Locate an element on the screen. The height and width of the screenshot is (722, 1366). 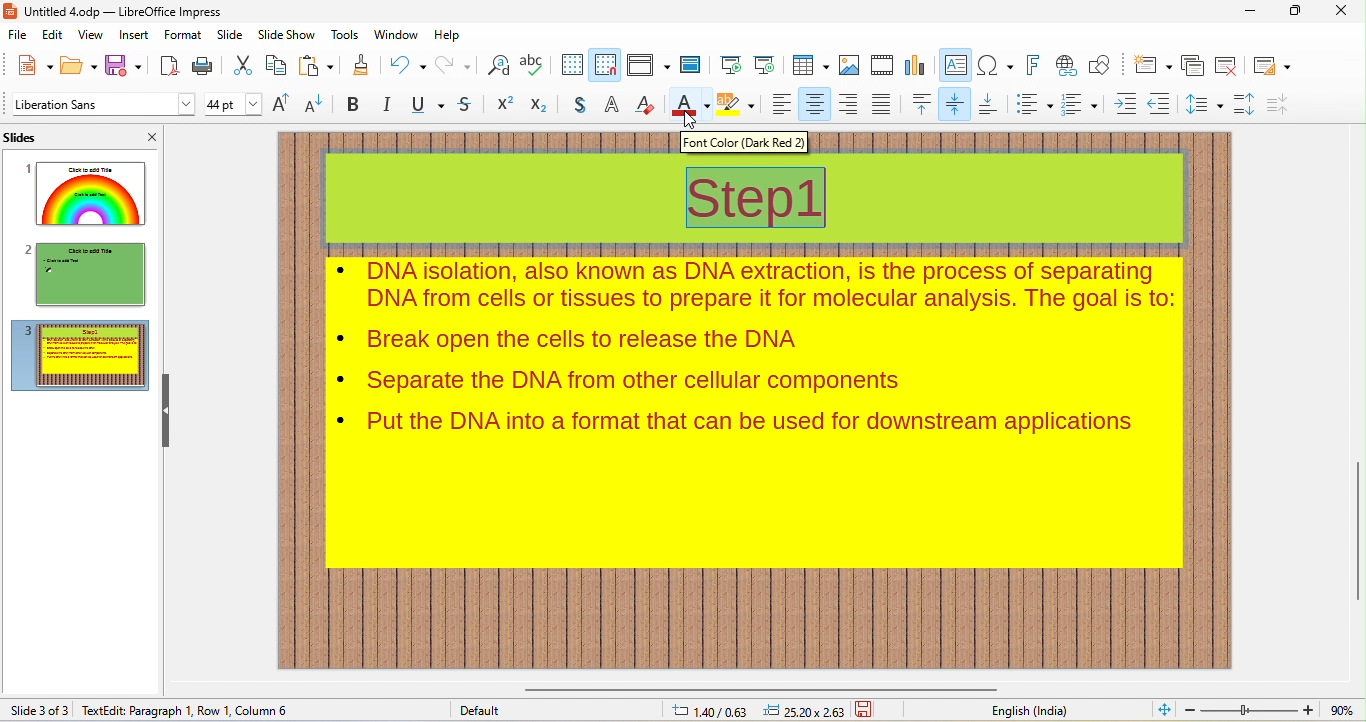
master slide is located at coordinates (691, 66).